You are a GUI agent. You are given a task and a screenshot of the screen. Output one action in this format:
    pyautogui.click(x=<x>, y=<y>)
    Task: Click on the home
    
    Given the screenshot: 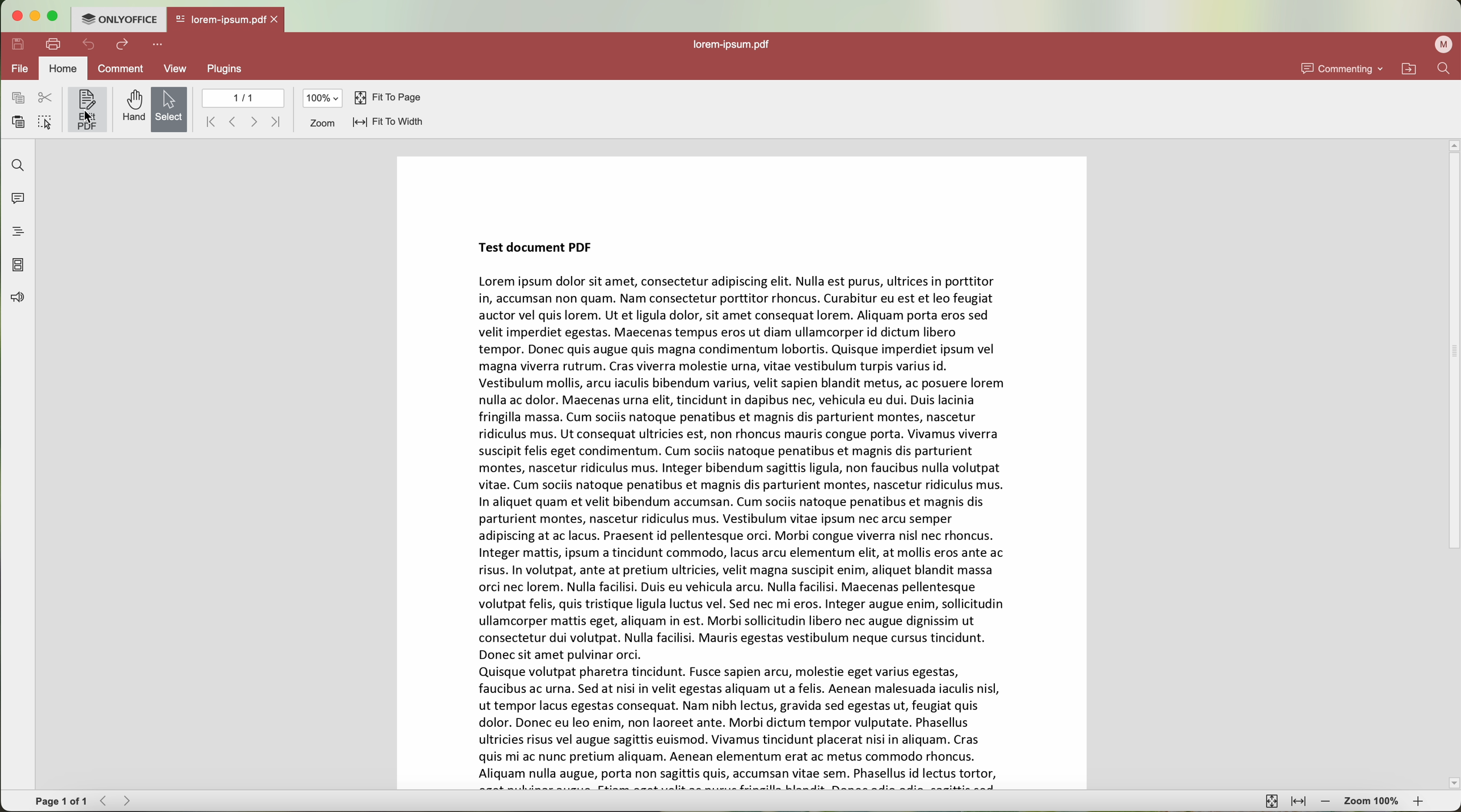 What is the action you would take?
    pyautogui.click(x=65, y=68)
    